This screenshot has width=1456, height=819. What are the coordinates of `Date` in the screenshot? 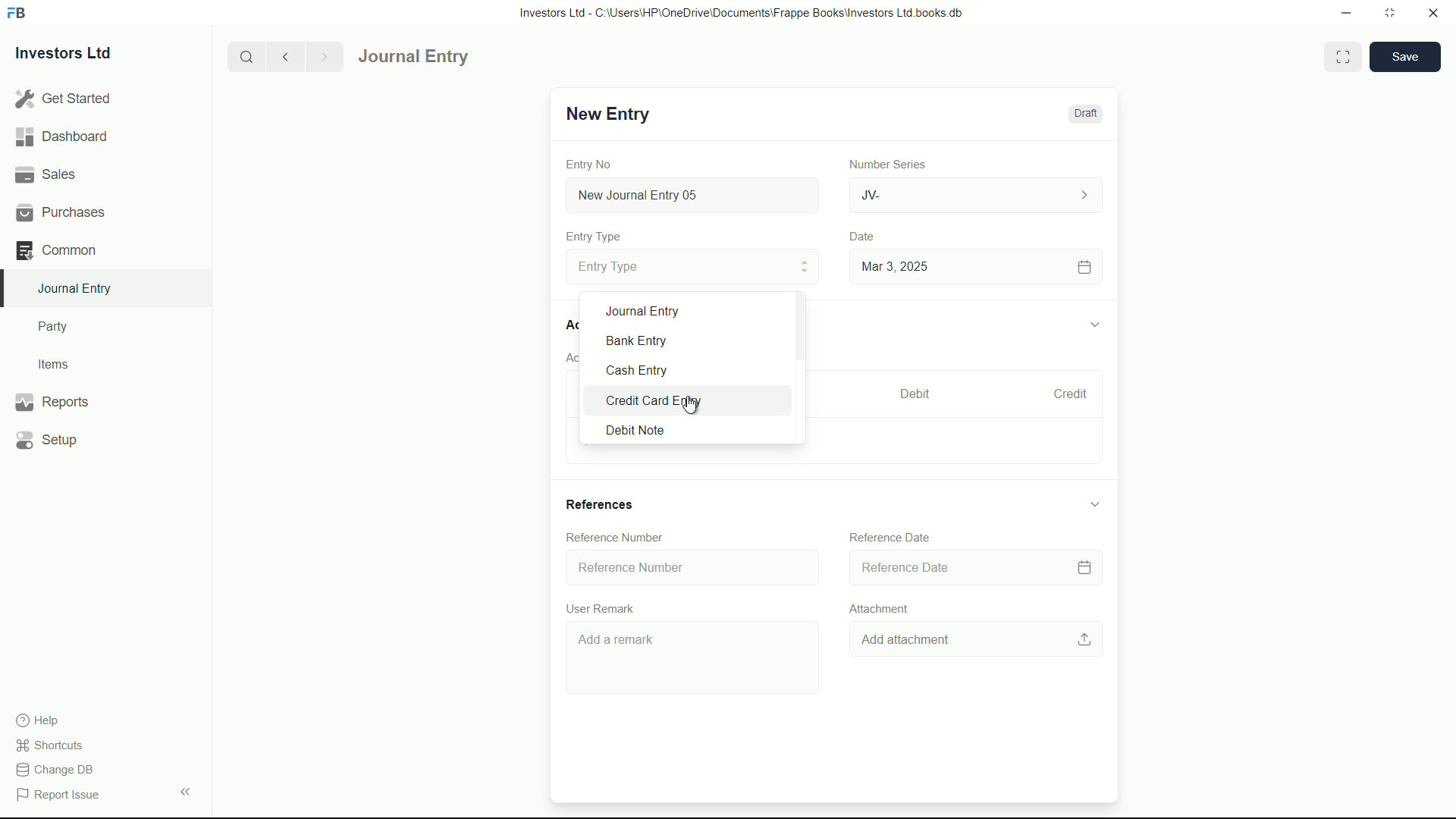 It's located at (864, 237).